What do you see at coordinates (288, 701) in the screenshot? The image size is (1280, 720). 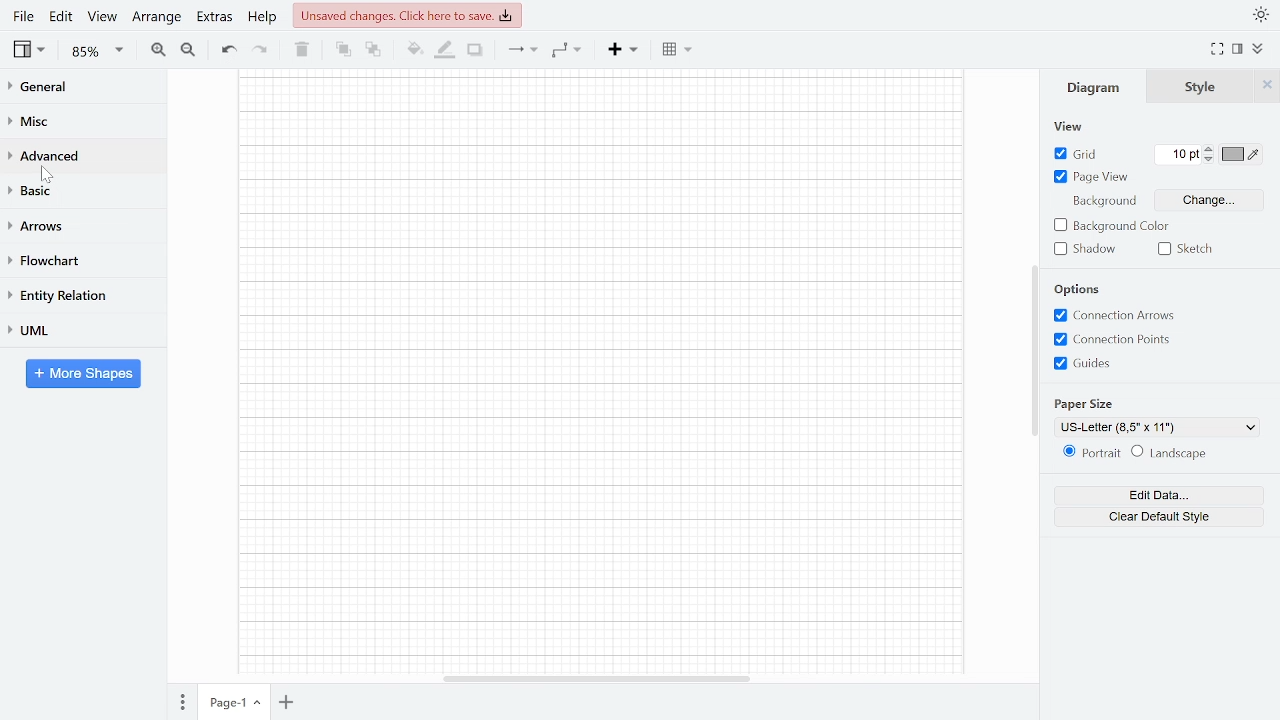 I see `Add page` at bounding box center [288, 701].